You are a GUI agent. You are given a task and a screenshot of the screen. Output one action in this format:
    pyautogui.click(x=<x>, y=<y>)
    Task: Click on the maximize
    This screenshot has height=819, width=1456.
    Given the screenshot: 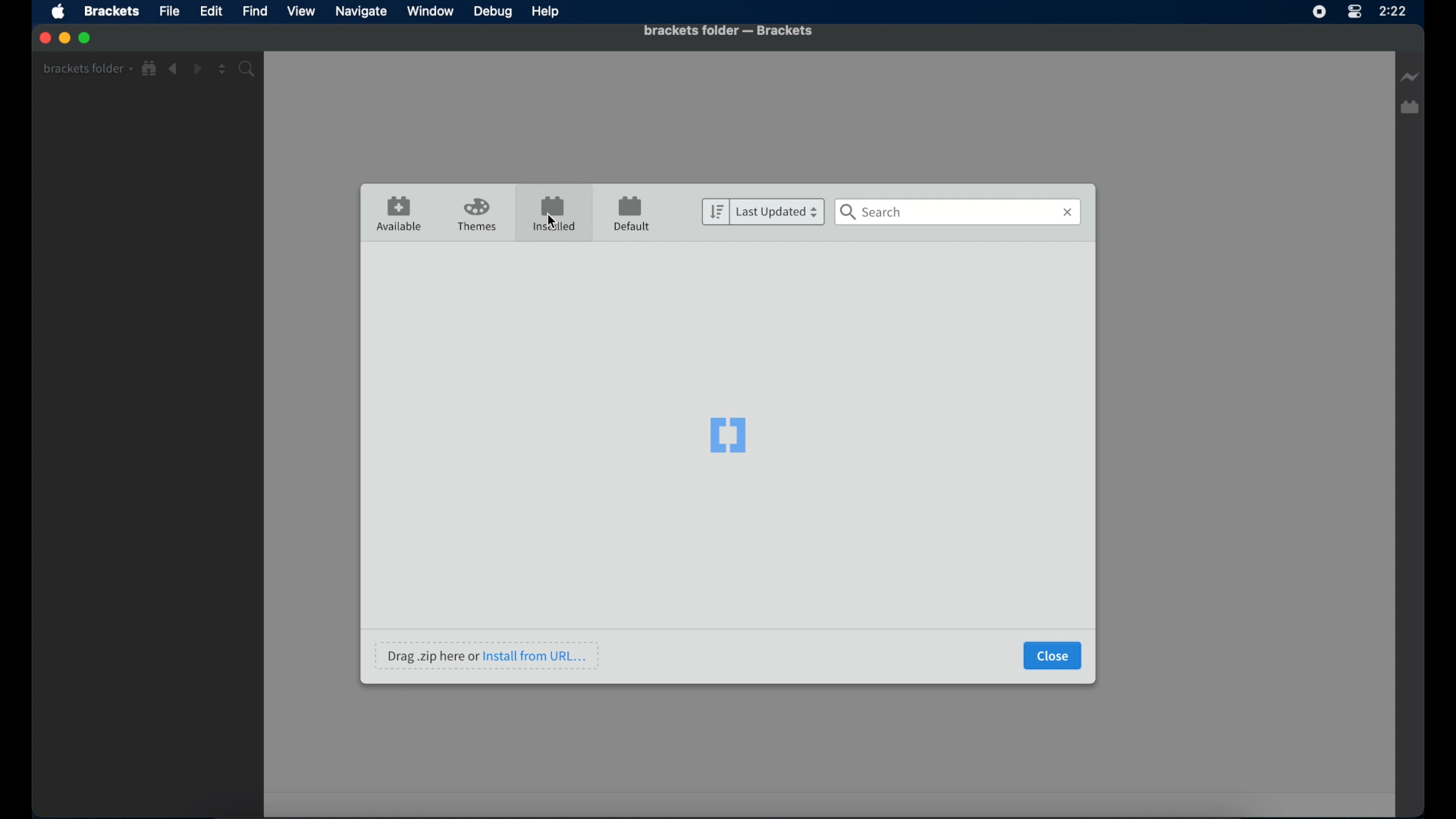 What is the action you would take?
    pyautogui.click(x=86, y=39)
    